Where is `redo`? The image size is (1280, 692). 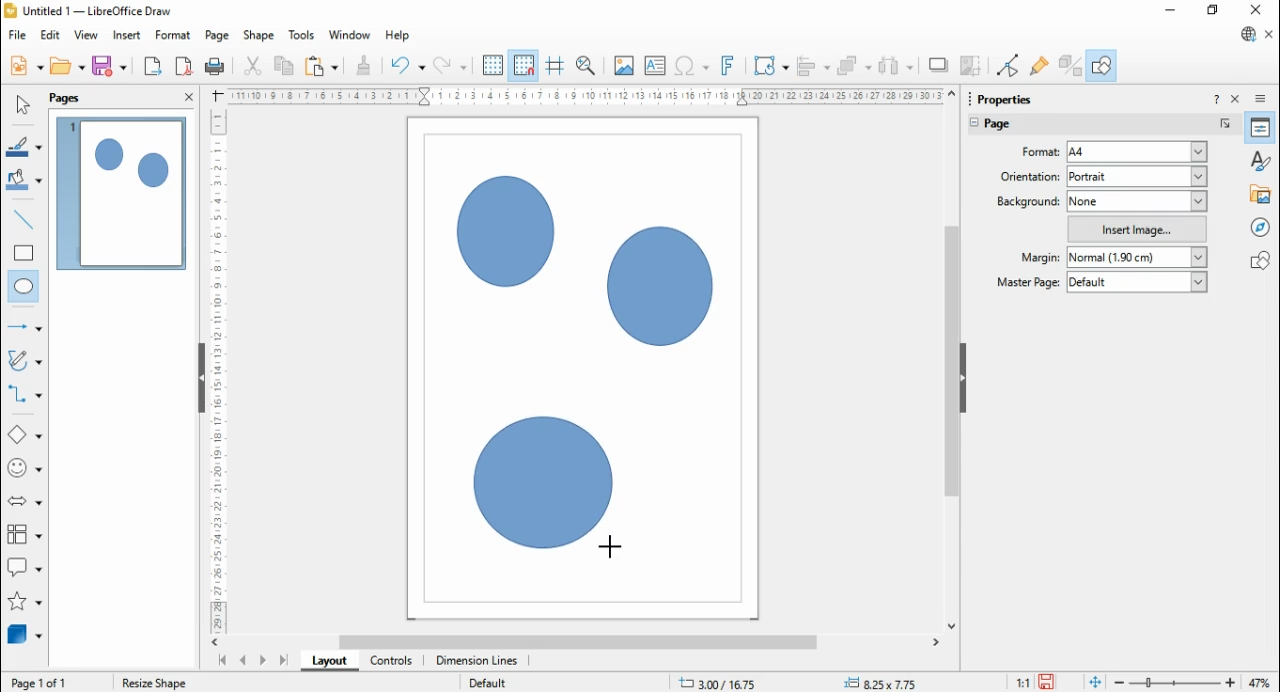
redo is located at coordinates (450, 66).